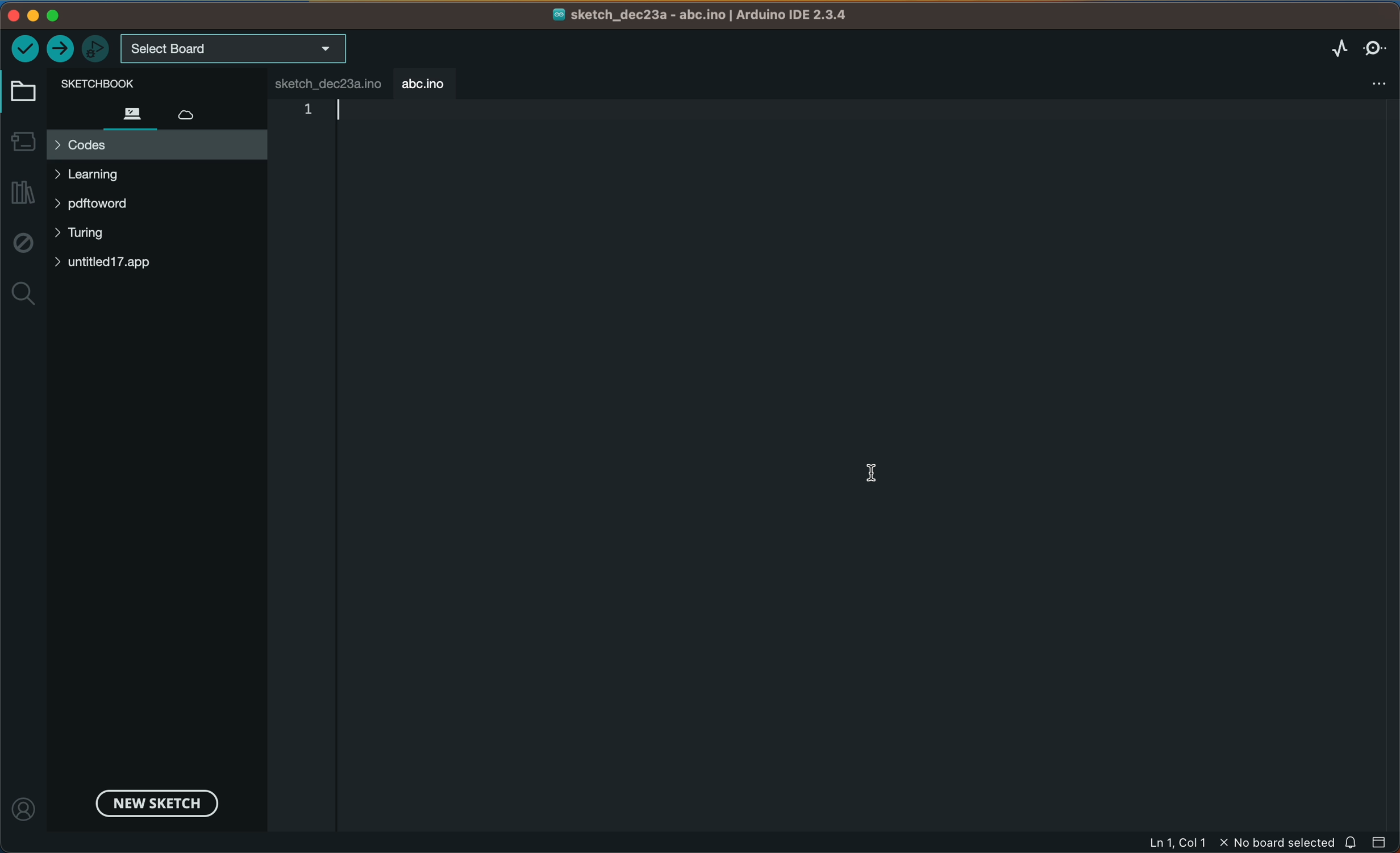 Image resolution: width=1400 pixels, height=853 pixels. What do you see at coordinates (235, 49) in the screenshot?
I see `board selecter` at bounding box center [235, 49].